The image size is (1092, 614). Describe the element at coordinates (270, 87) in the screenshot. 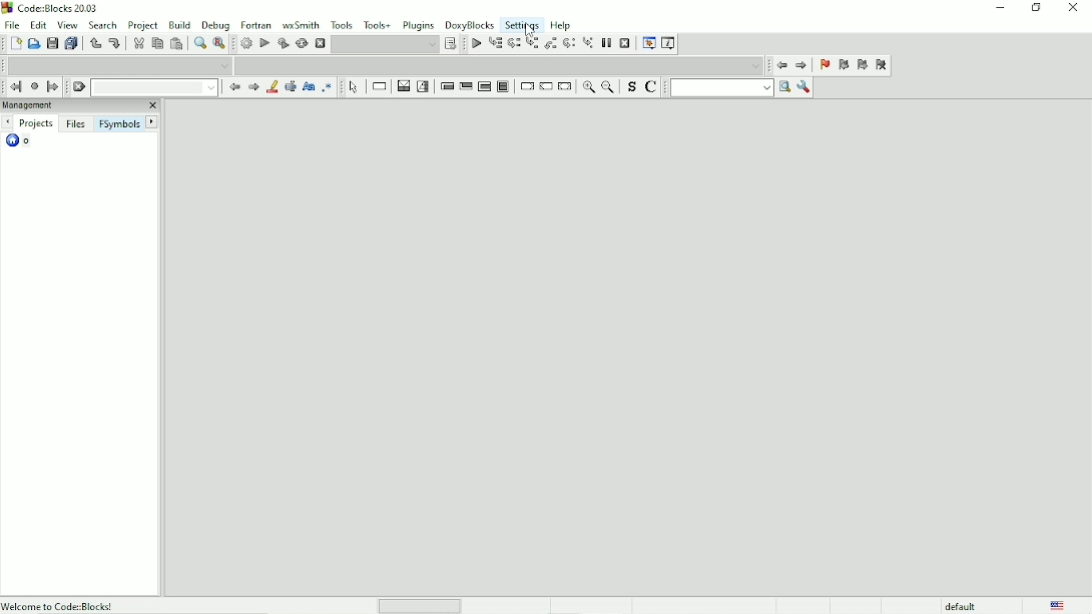

I see `Highlight` at that location.